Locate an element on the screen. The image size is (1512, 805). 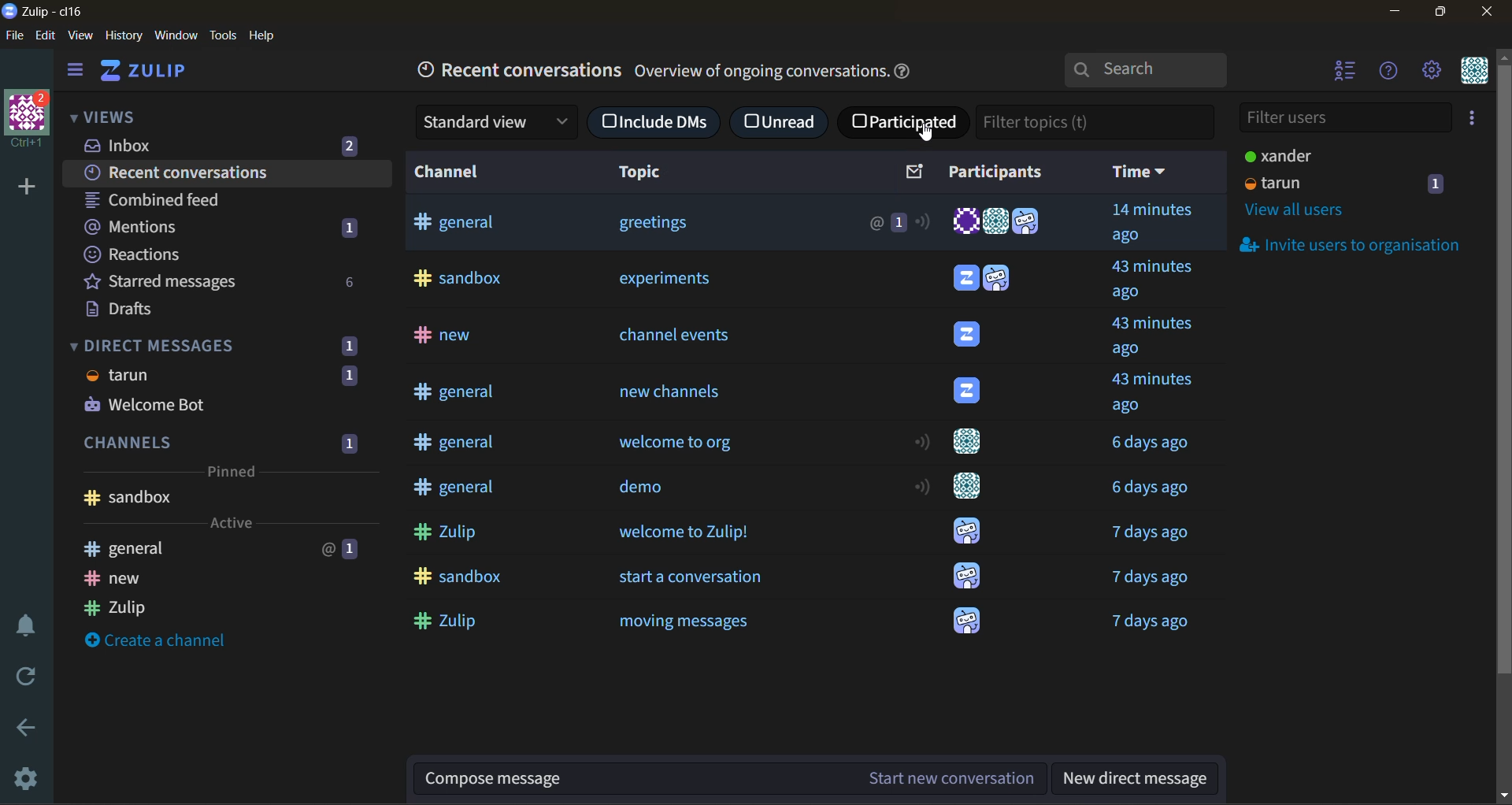
compose message is located at coordinates (632, 779).